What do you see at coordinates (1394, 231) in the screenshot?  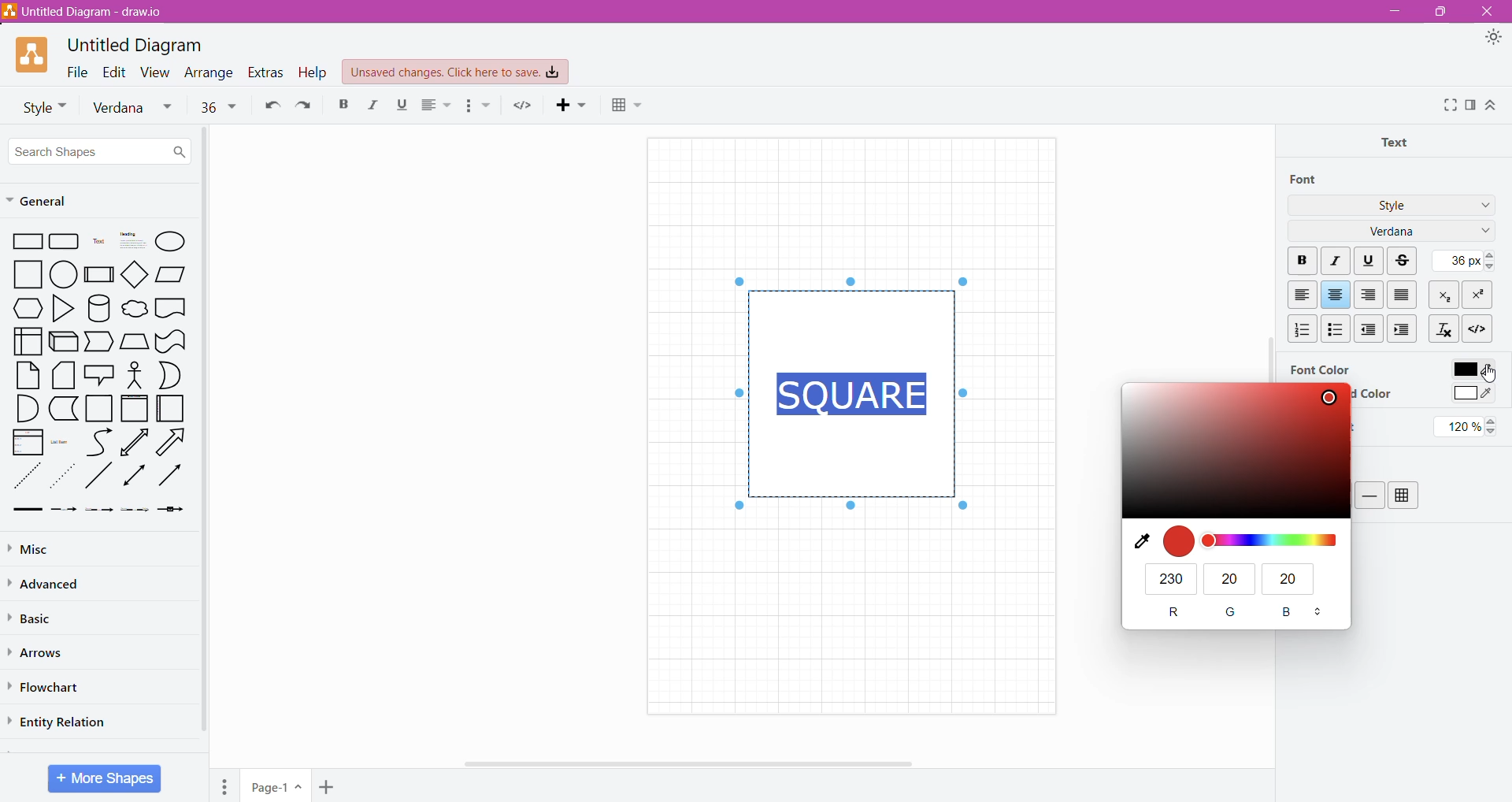 I see `` at bounding box center [1394, 231].